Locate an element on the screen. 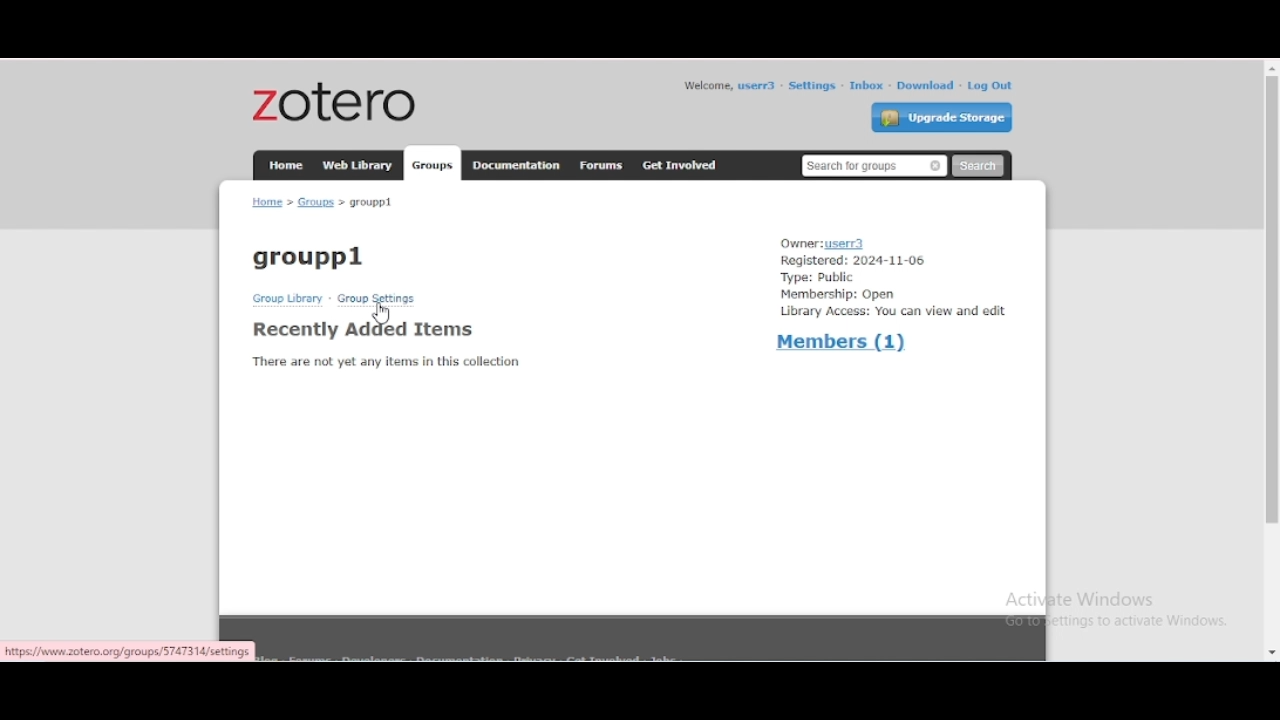 Image resolution: width=1280 pixels, height=720 pixels. group library is located at coordinates (287, 298).